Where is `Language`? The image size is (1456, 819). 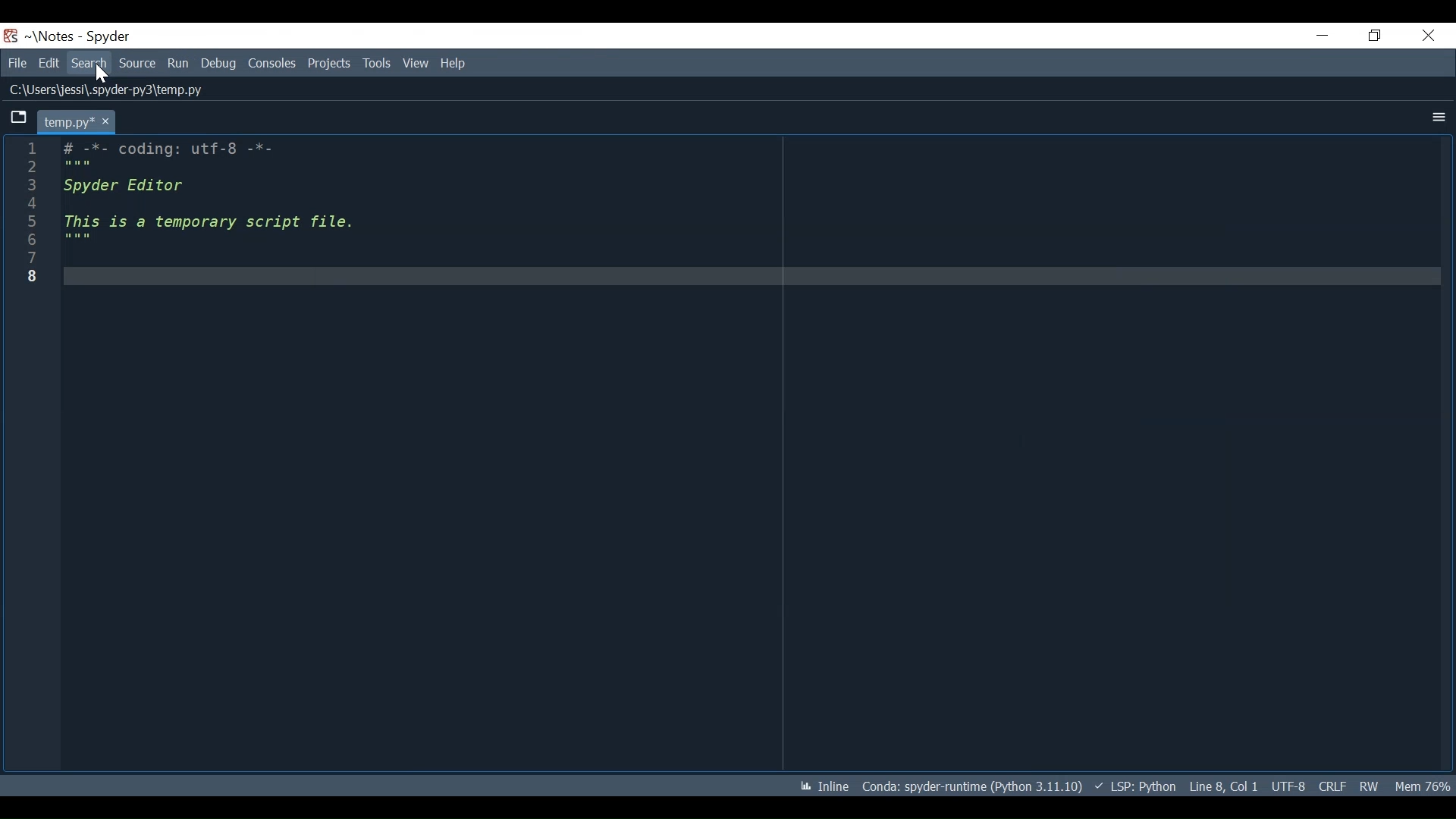 Language is located at coordinates (1142, 787).